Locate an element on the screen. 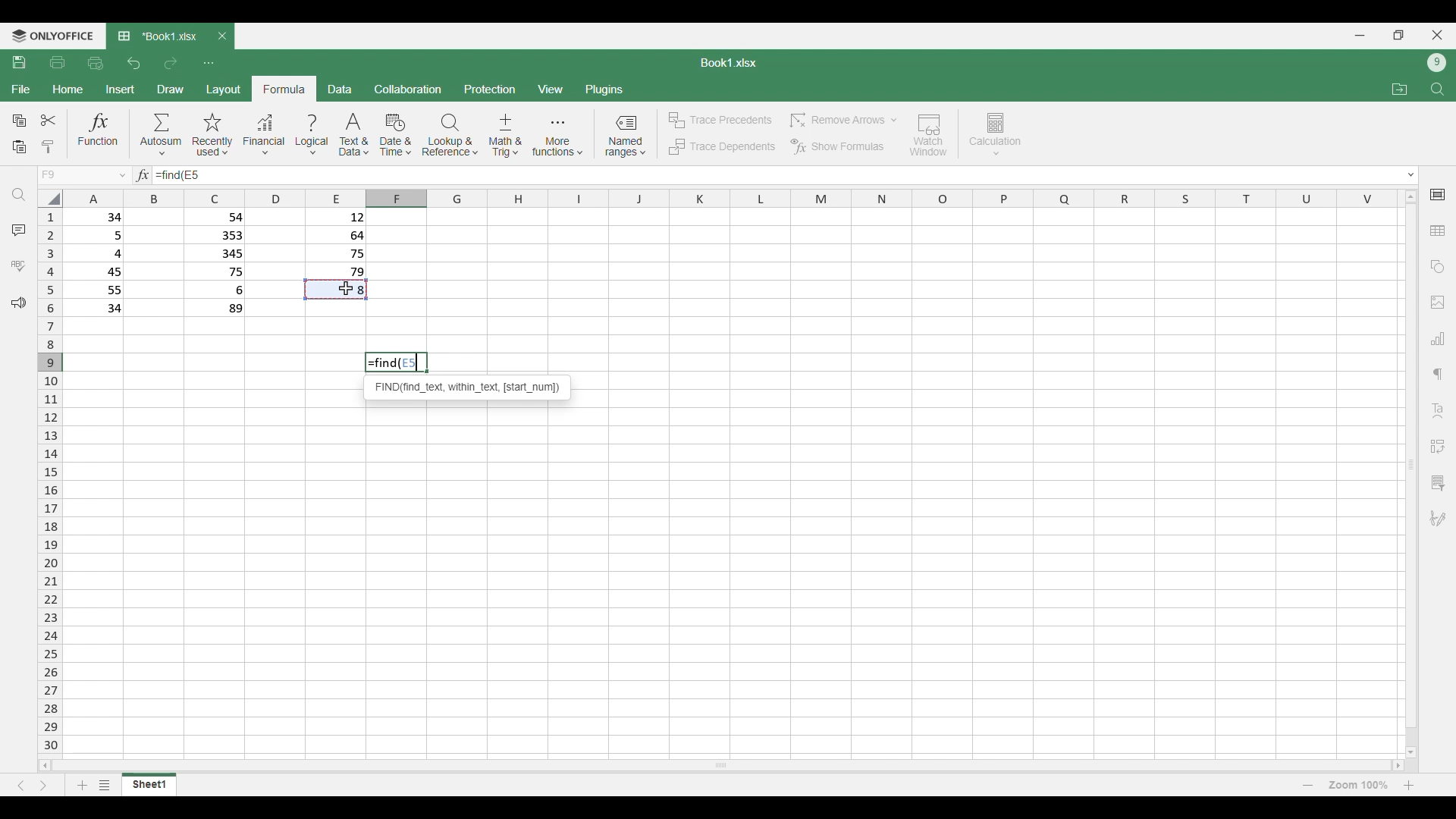 This screenshot has width=1456, height=819. Slicer is located at coordinates (1437, 483).